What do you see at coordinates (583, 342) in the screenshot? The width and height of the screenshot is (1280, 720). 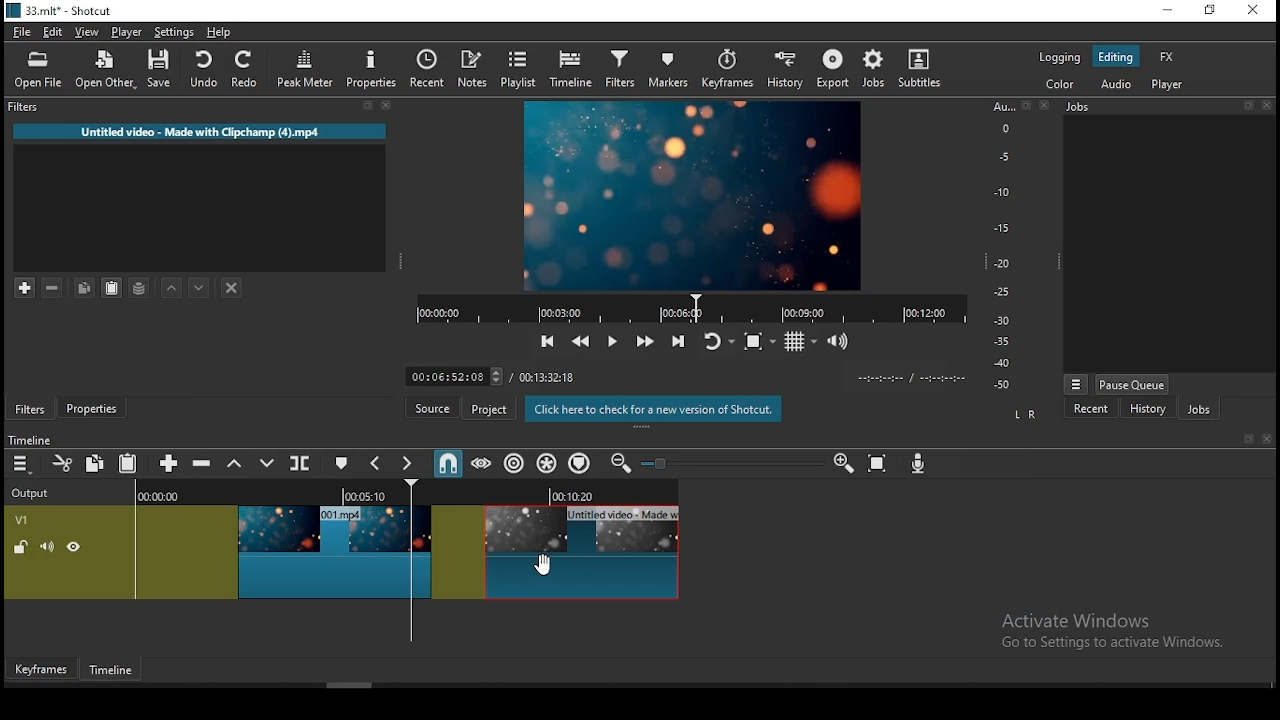 I see `play quickly backward` at bounding box center [583, 342].